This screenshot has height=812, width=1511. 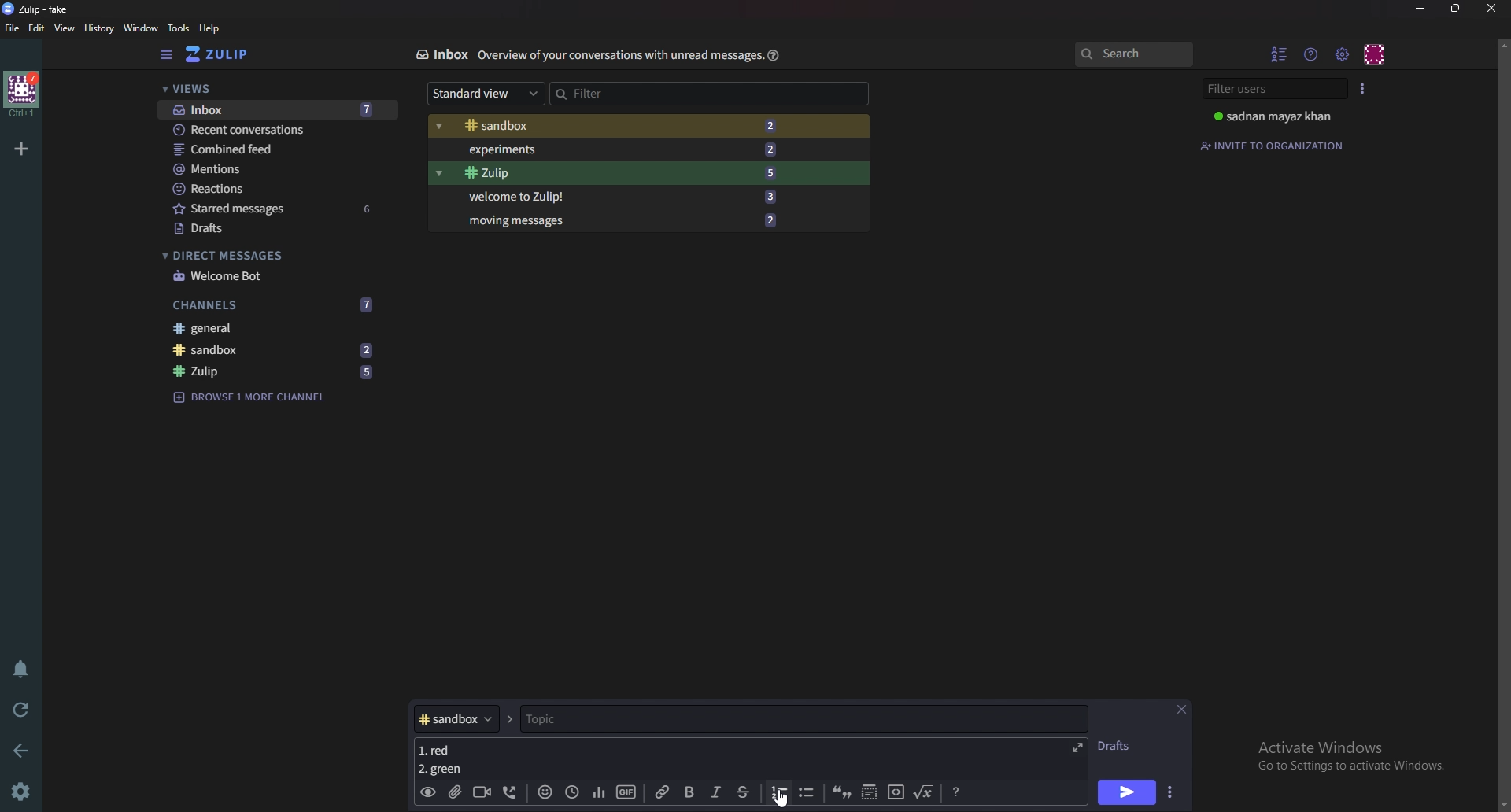 I want to click on Italic, so click(x=715, y=795).